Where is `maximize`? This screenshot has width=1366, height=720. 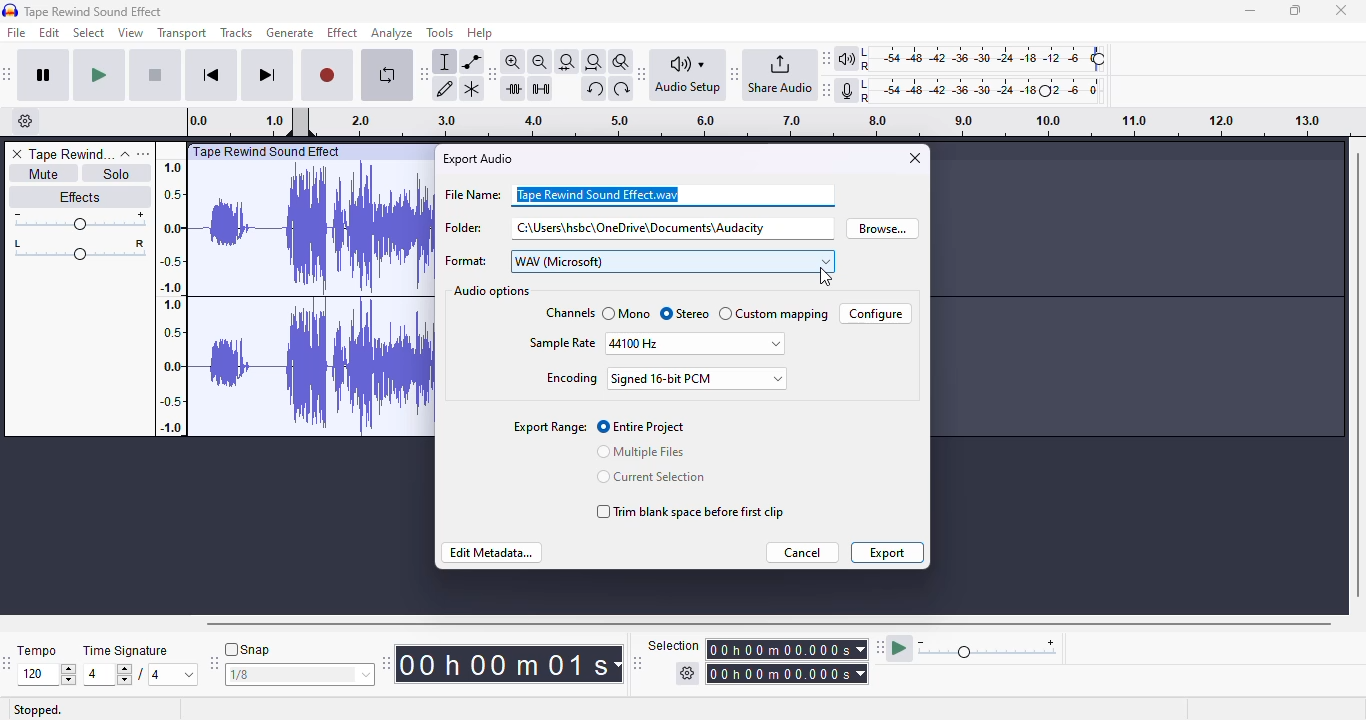
maximize is located at coordinates (1297, 11).